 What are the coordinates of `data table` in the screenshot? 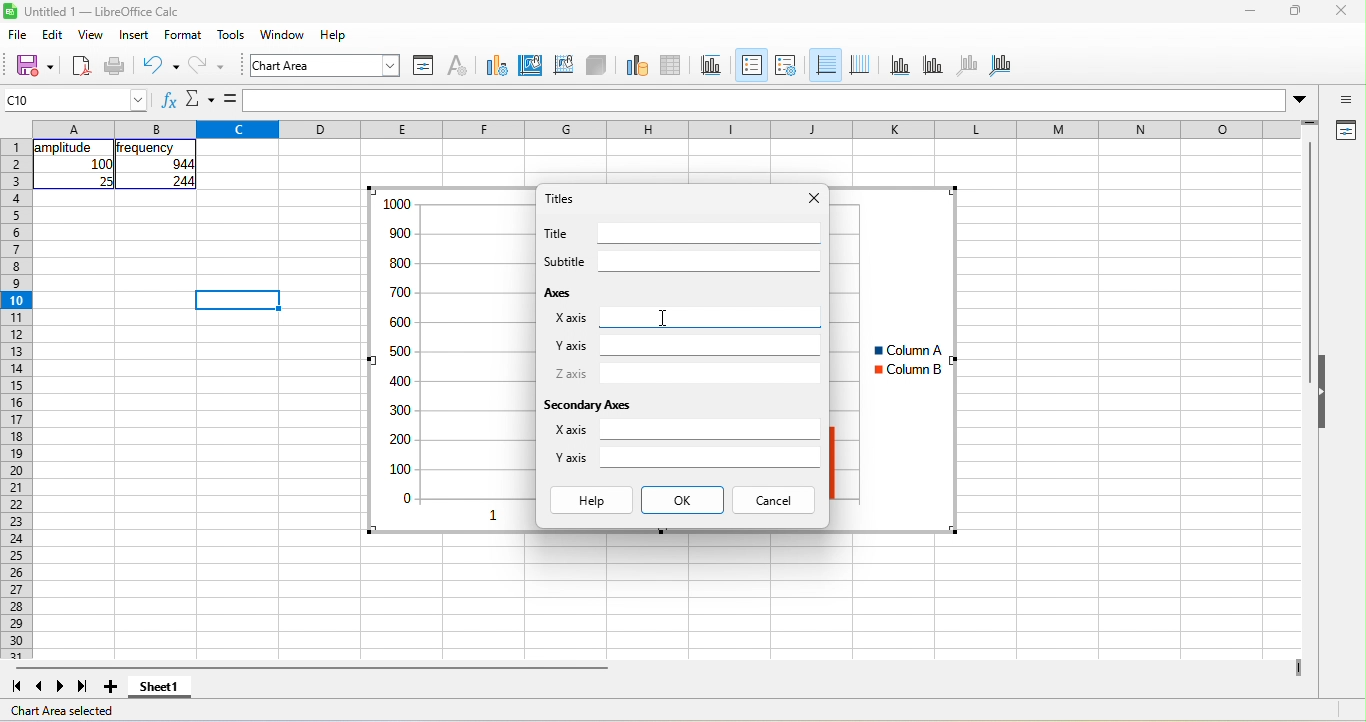 It's located at (672, 66).